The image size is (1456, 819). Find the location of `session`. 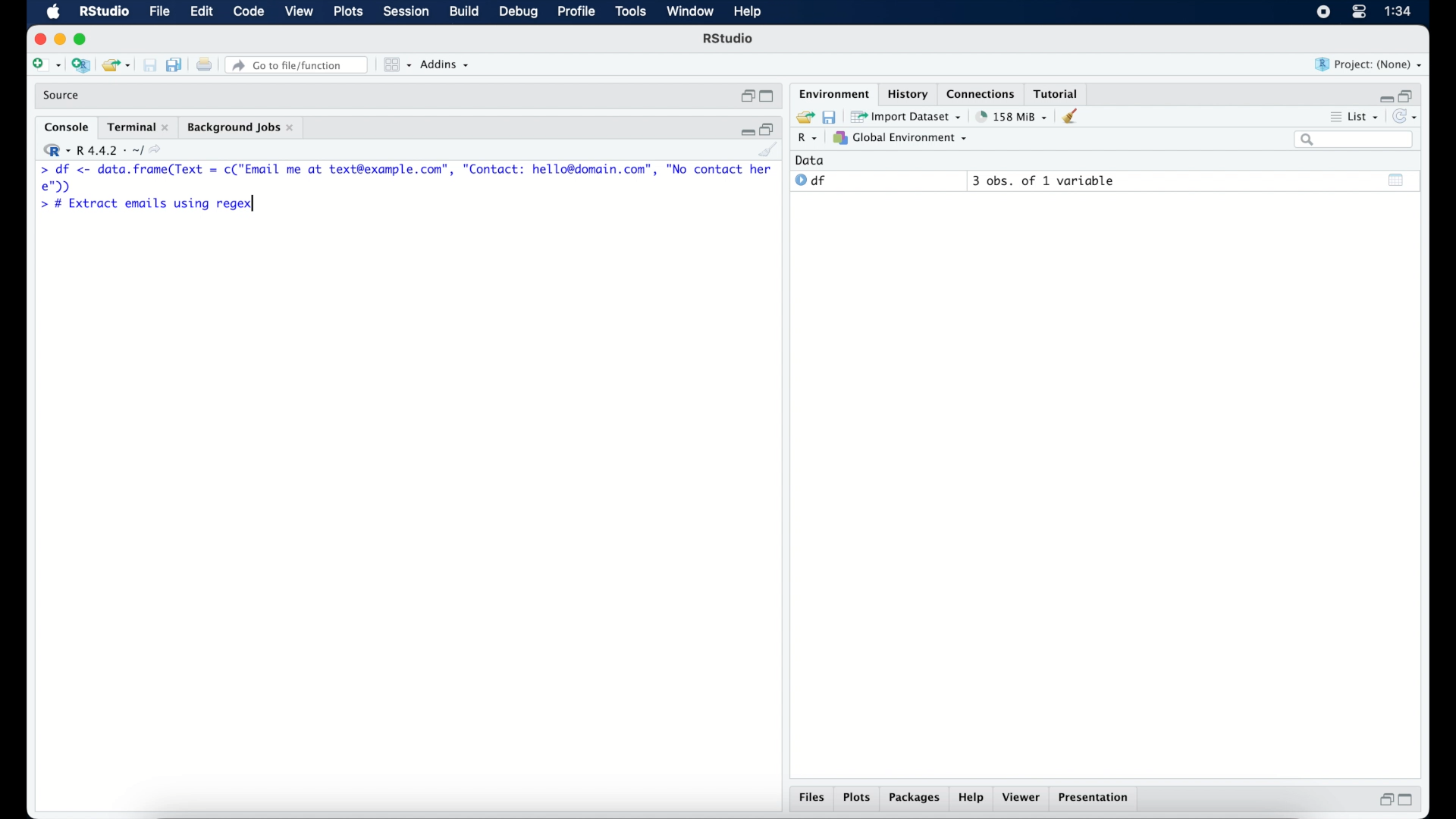

session is located at coordinates (406, 12).